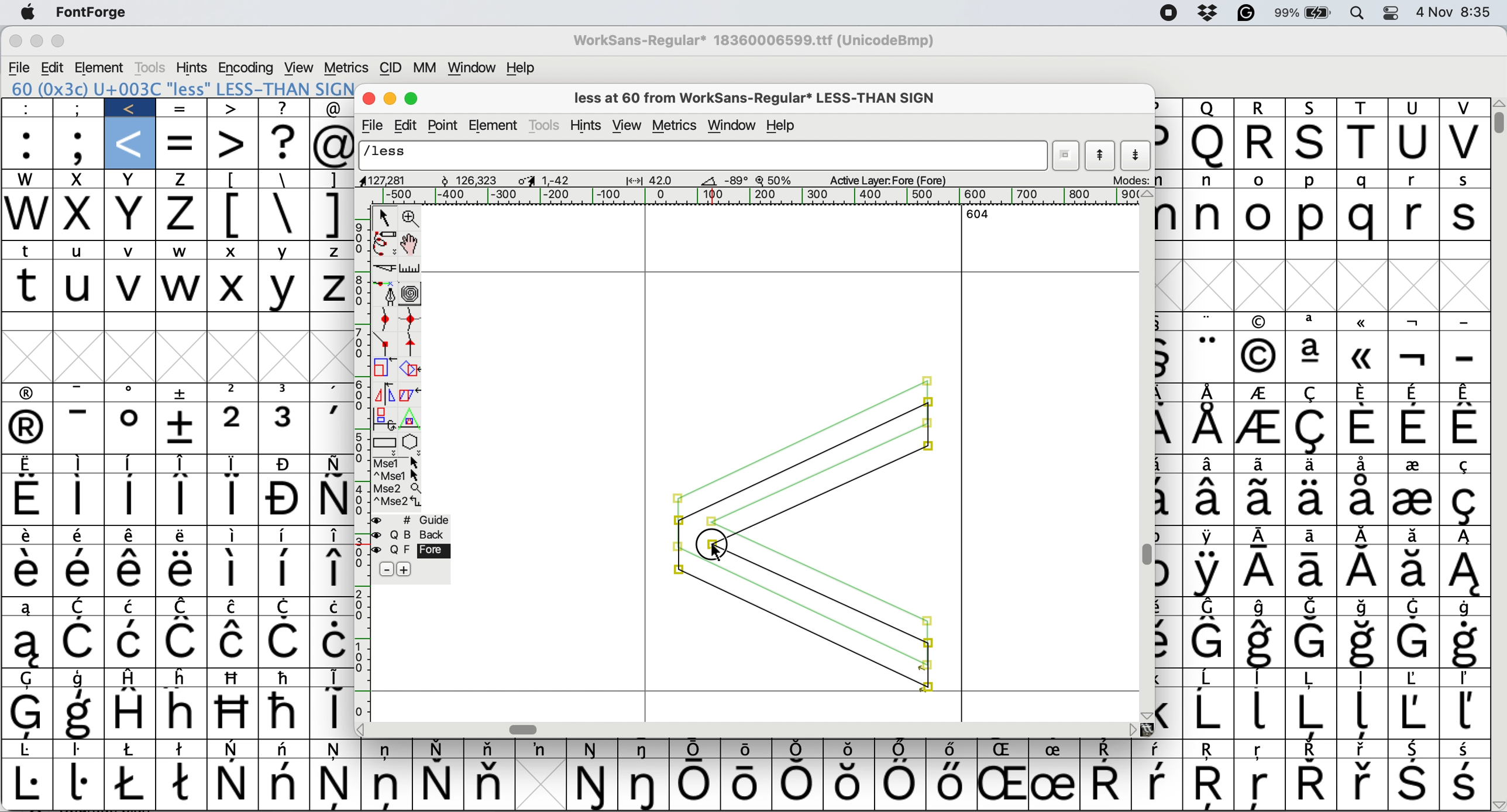  What do you see at coordinates (1260, 355) in the screenshot?
I see `Symbol` at bounding box center [1260, 355].